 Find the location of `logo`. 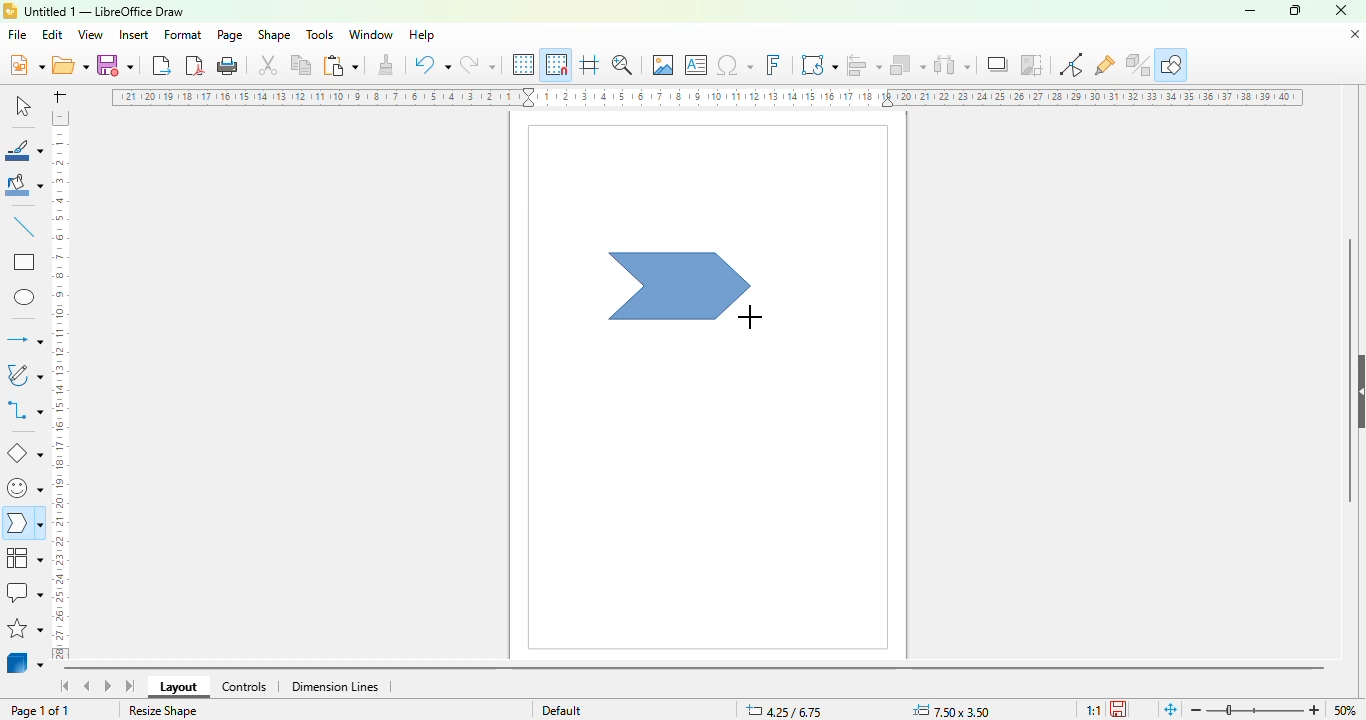

logo is located at coordinates (10, 11).